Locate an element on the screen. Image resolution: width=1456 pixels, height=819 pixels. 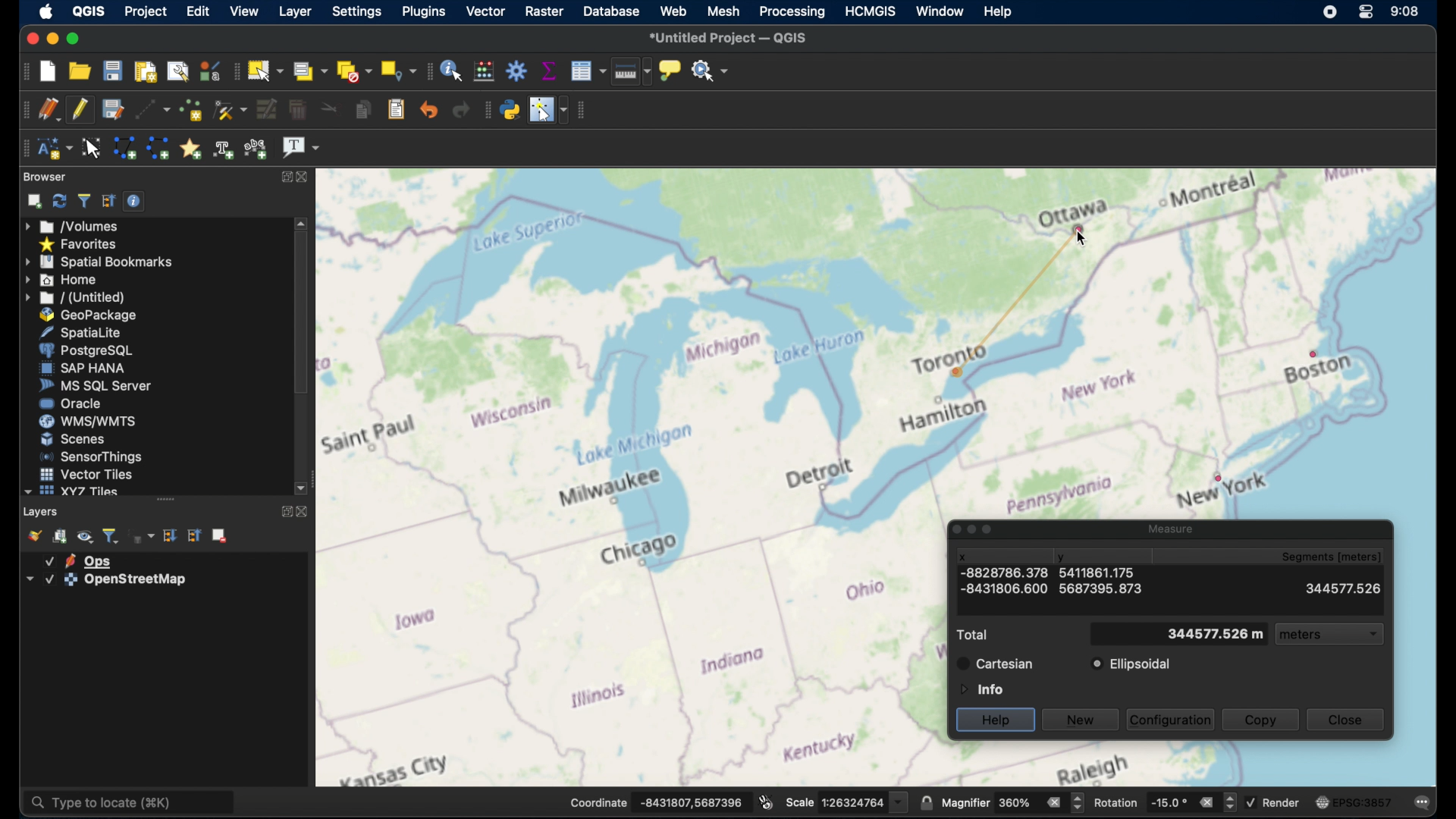
attributes toolbar is located at coordinates (428, 71).